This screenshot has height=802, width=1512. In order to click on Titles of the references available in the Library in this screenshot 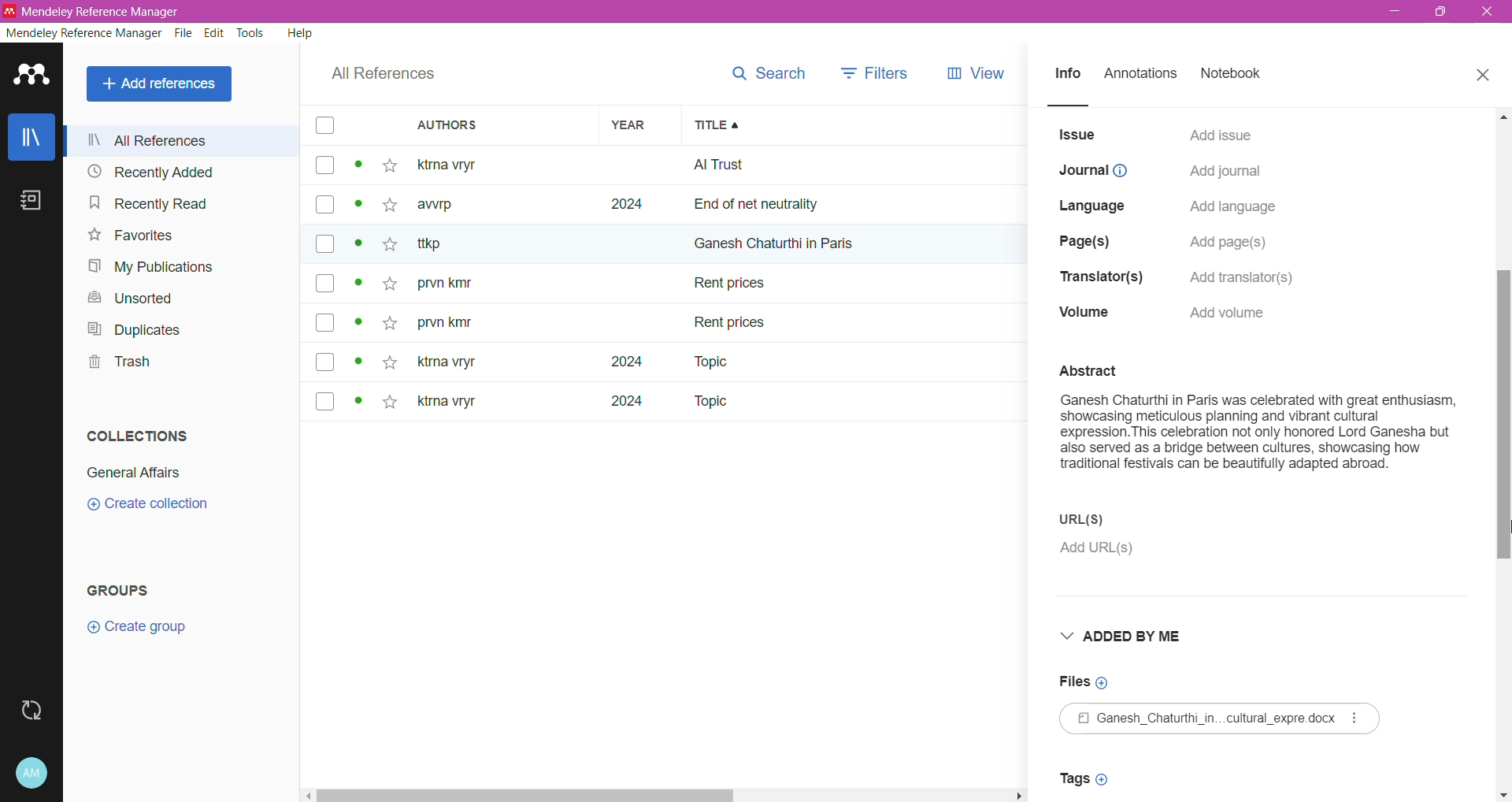, I will do `click(855, 284)`.